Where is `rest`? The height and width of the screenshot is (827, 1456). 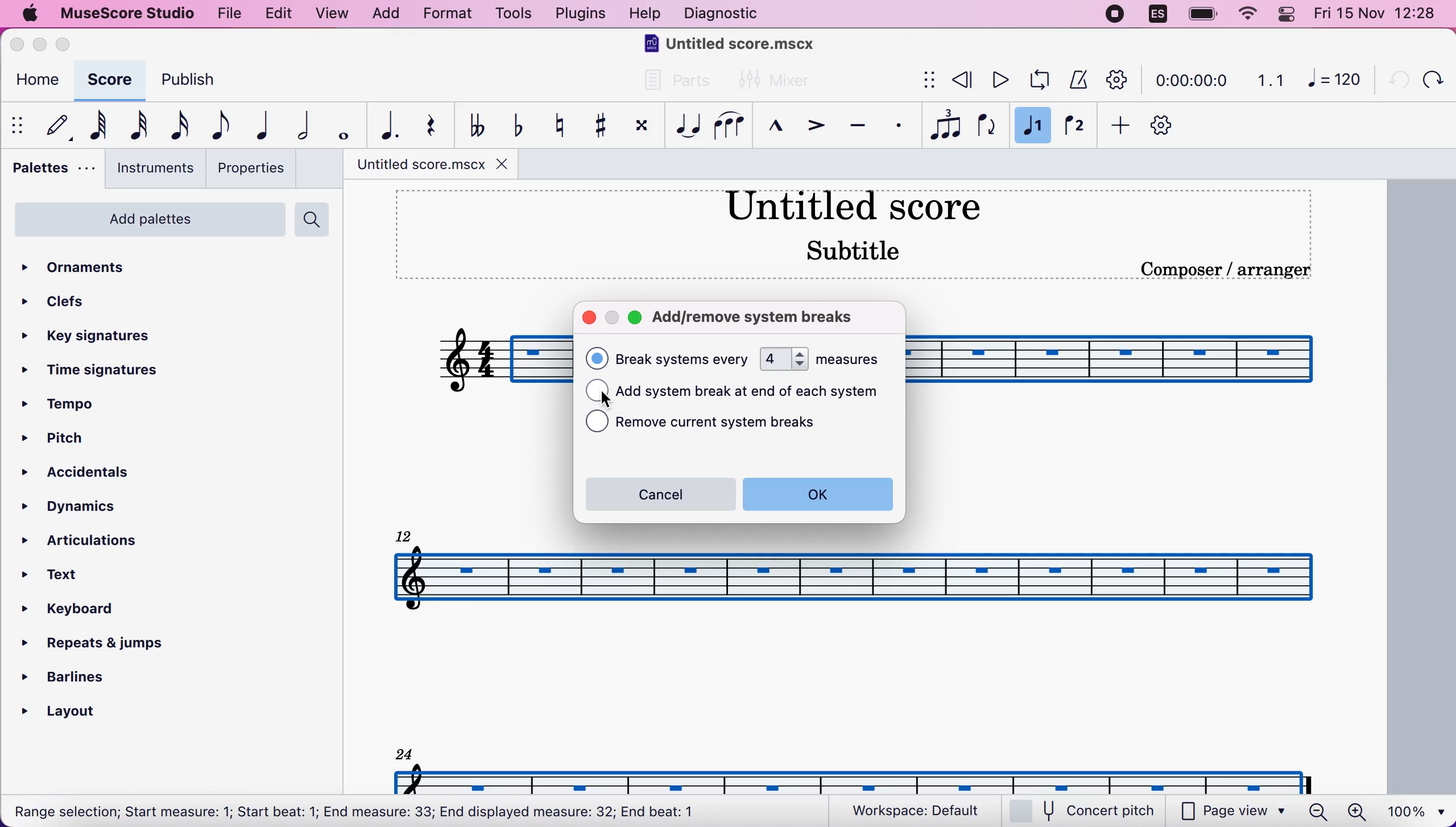
rest is located at coordinates (425, 126).